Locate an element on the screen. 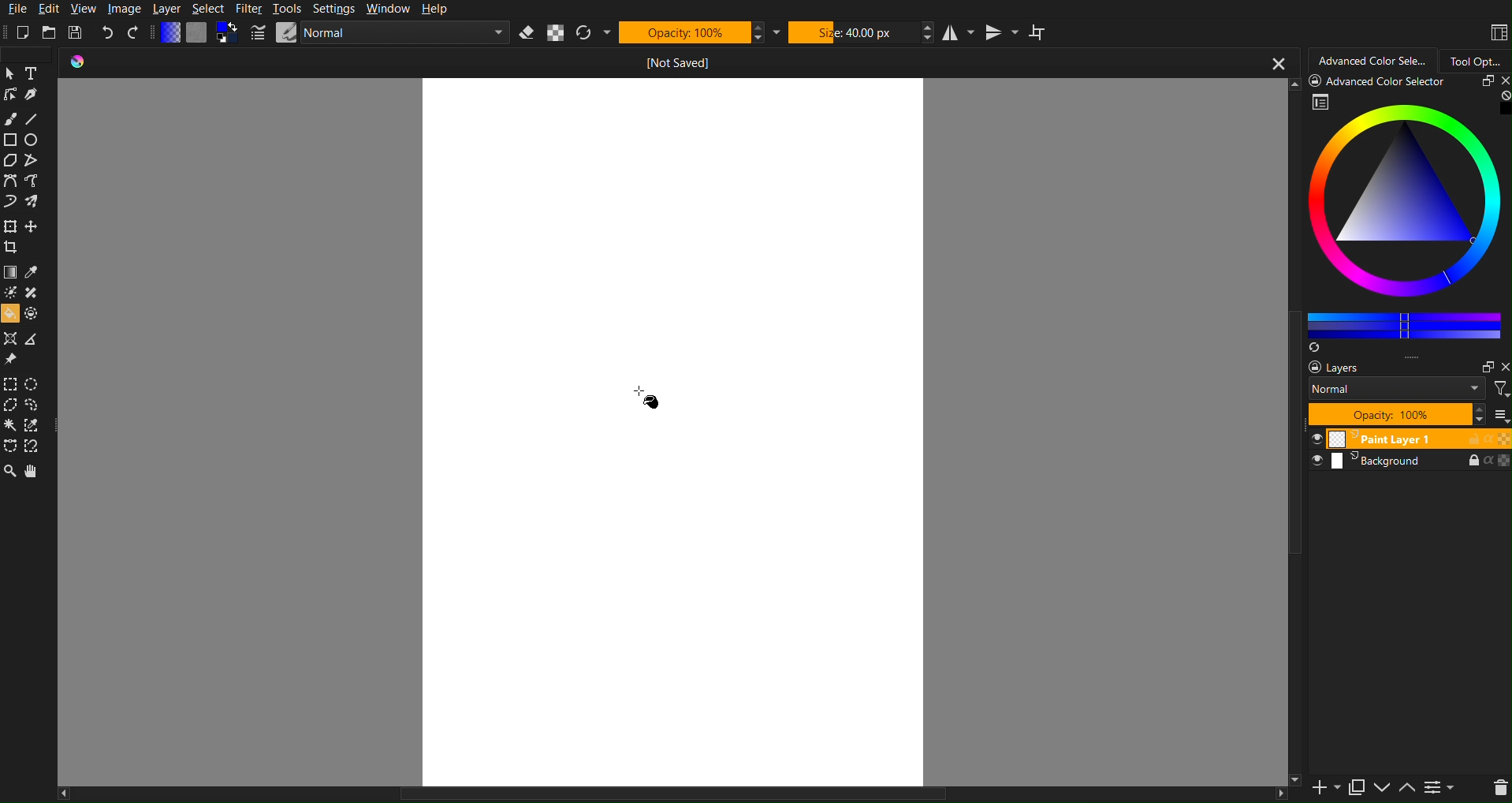 The image size is (1512, 803). Window is located at coordinates (387, 9).